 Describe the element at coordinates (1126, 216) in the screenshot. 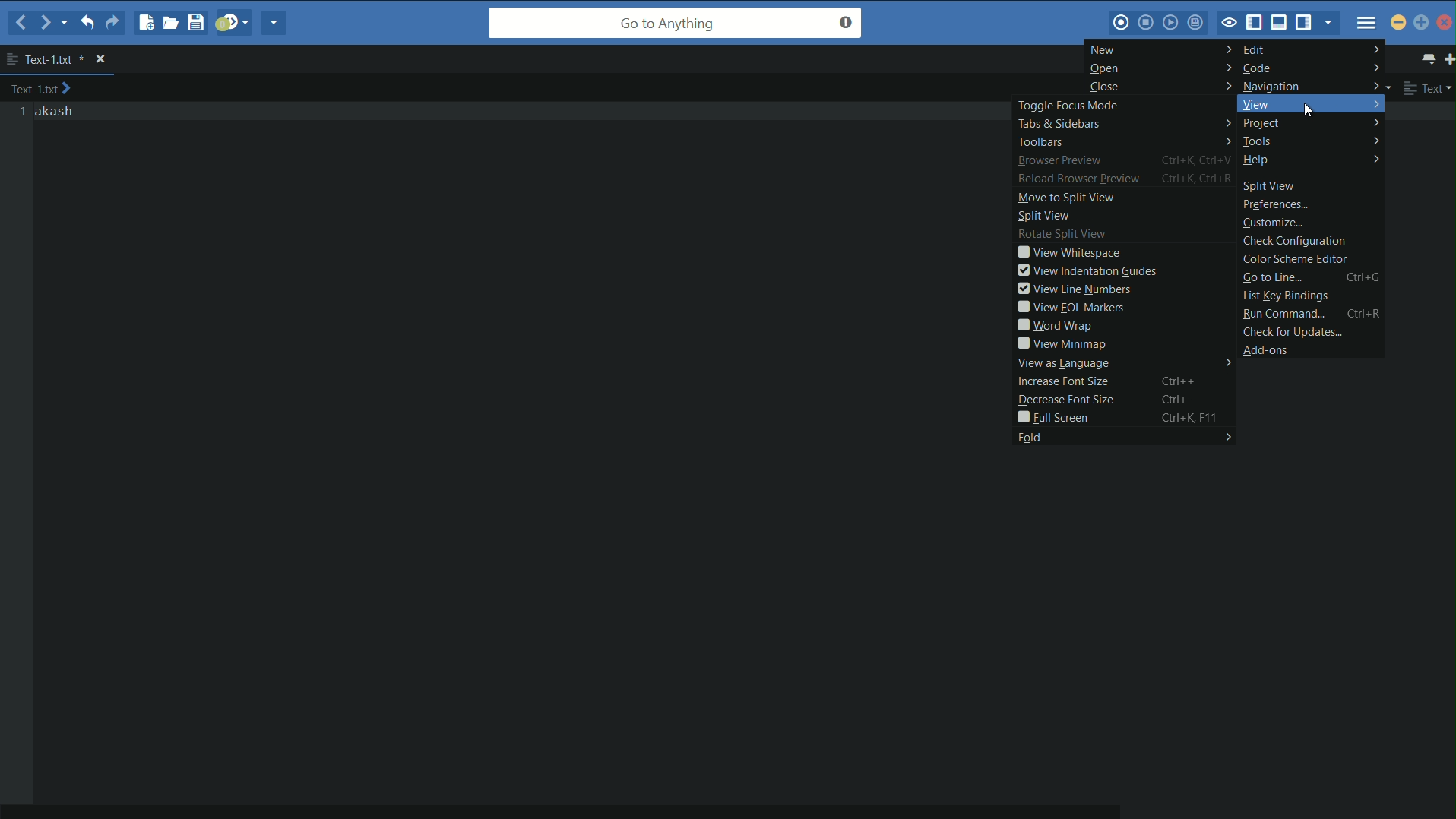

I see `split view` at that location.